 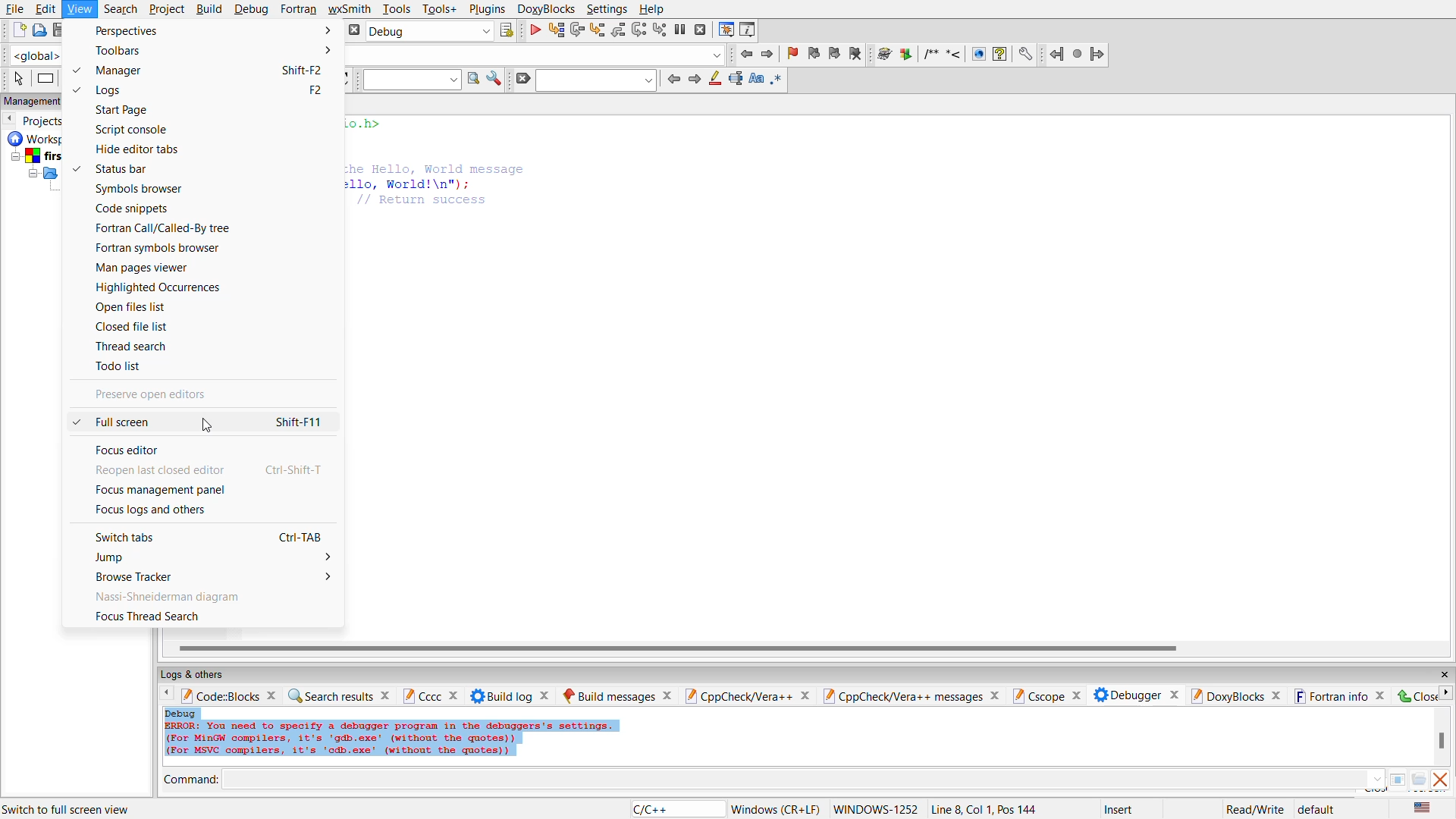 I want to click on search, so click(x=596, y=80).